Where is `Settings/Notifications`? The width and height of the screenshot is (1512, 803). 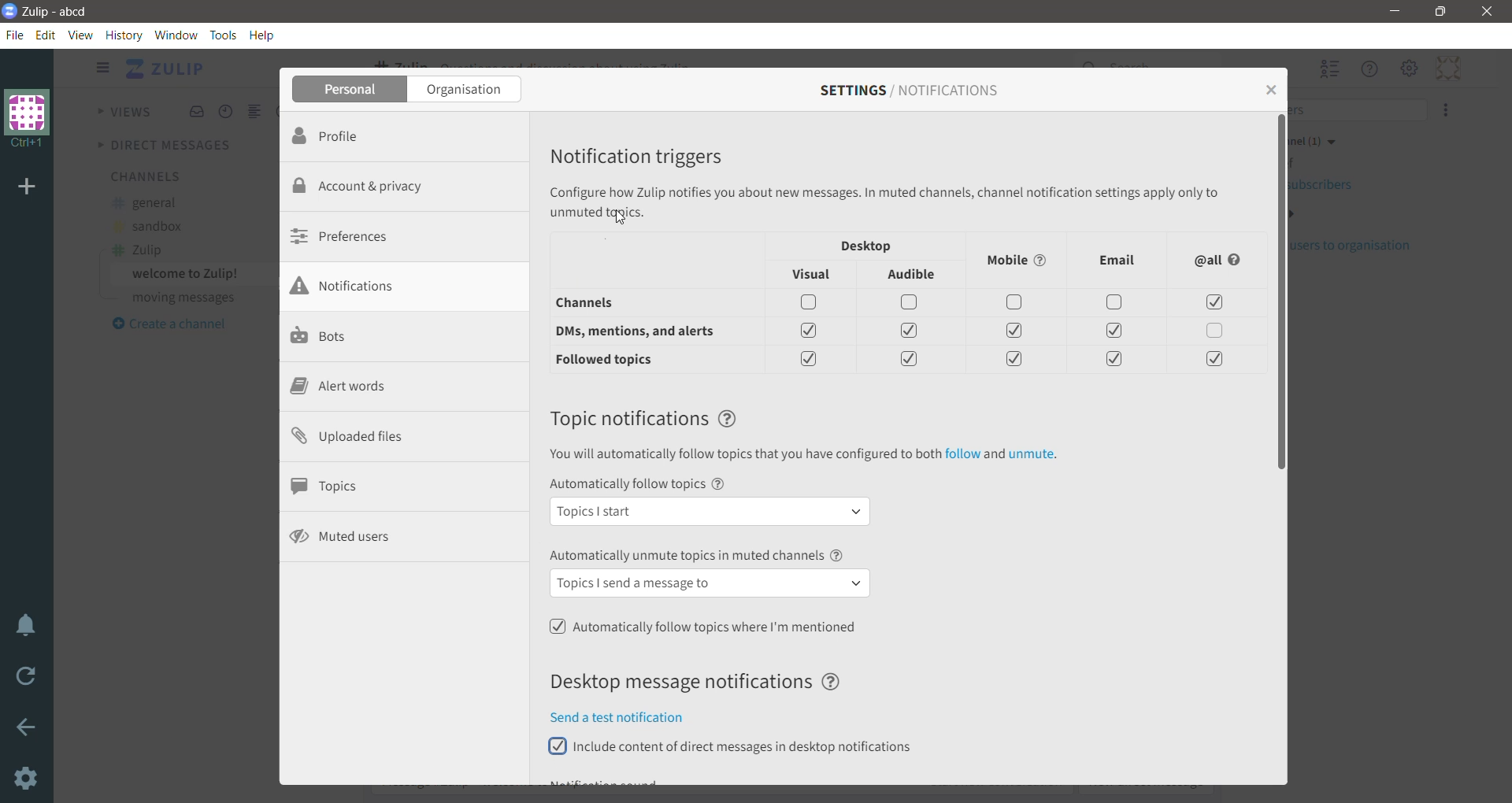
Settings/Notifications is located at coordinates (909, 91).